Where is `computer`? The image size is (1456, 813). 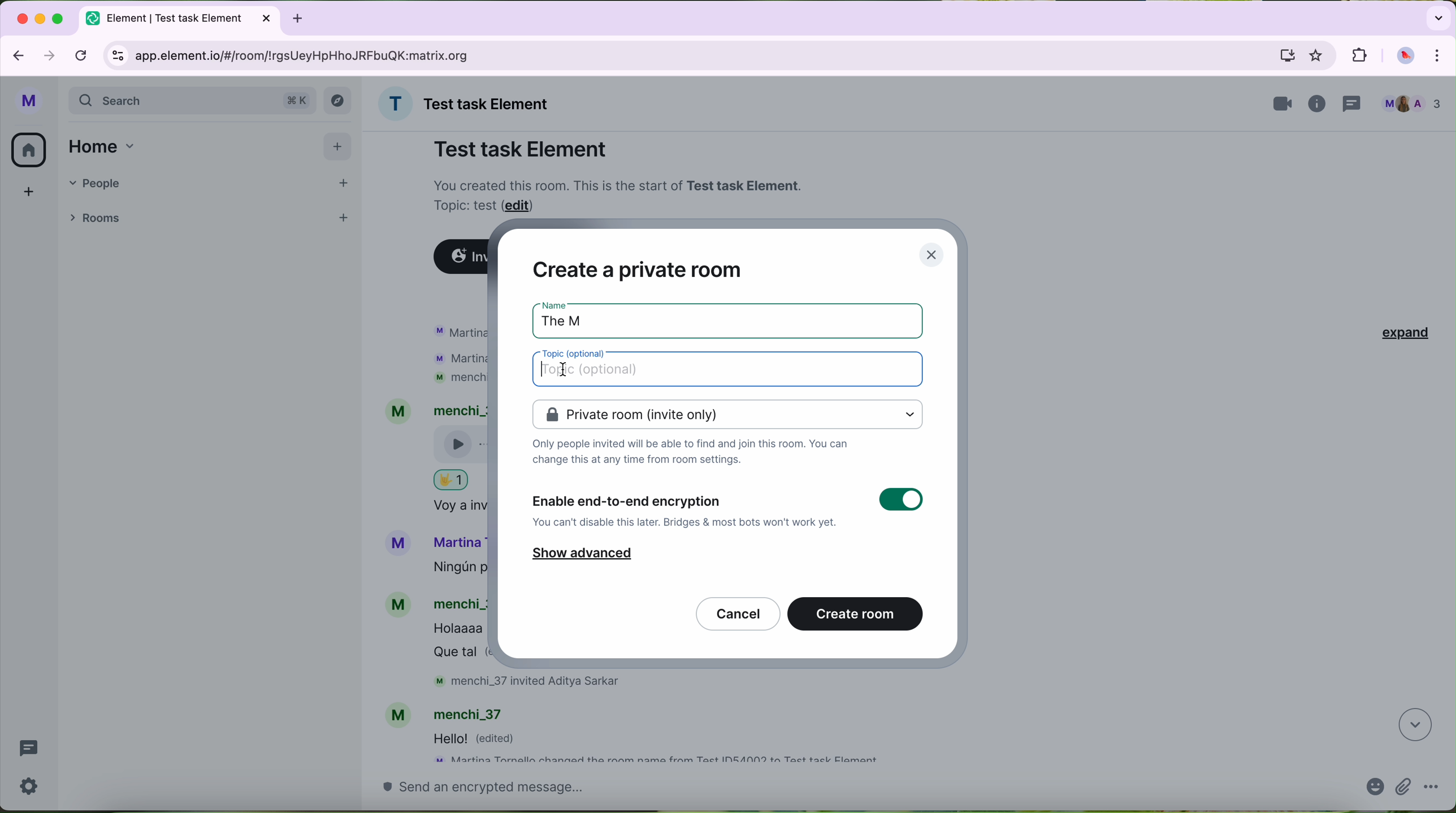 computer is located at coordinates (1286, 55).